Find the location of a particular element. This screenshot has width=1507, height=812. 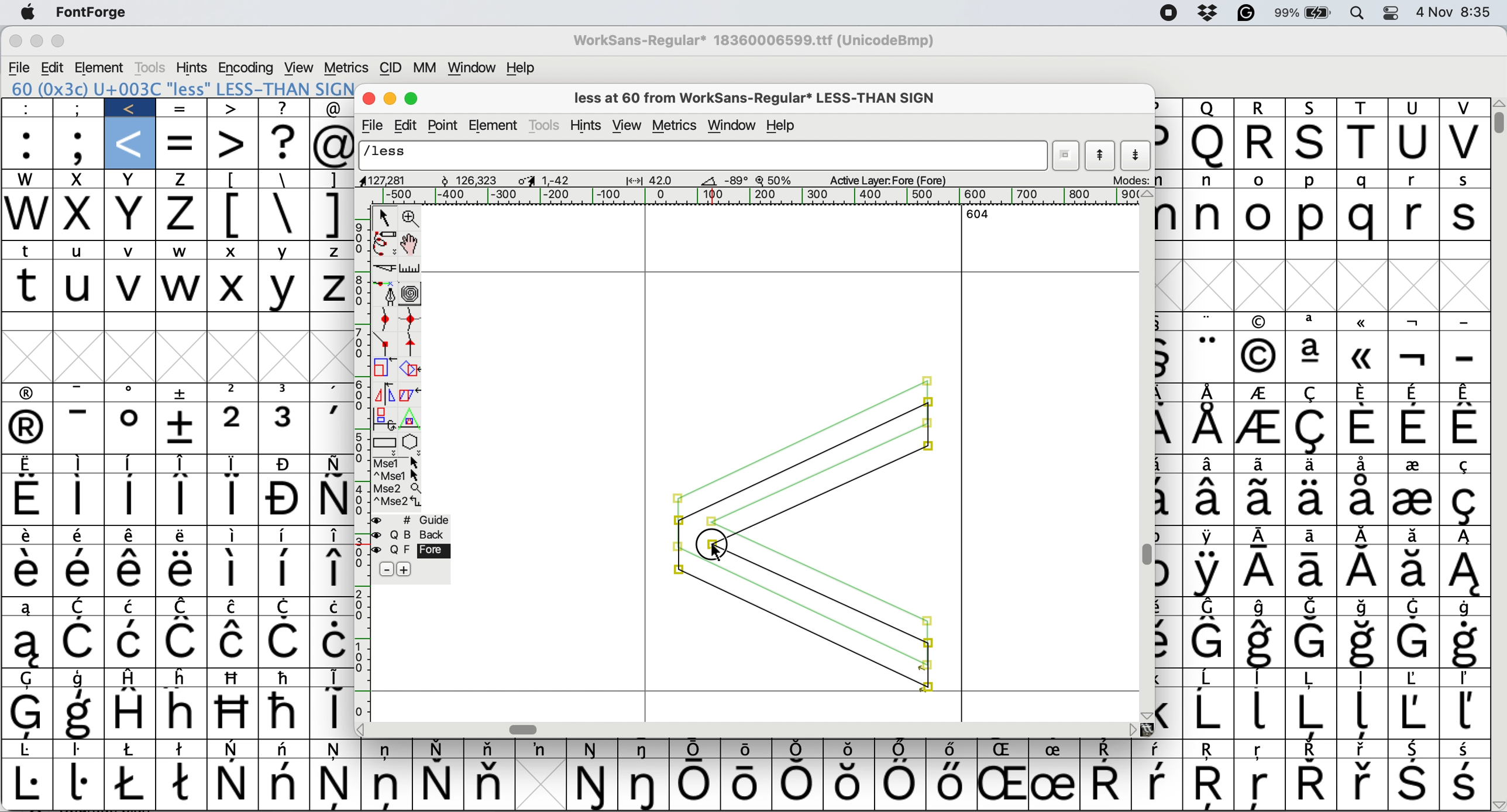

window is located at coordinates (732, 126).